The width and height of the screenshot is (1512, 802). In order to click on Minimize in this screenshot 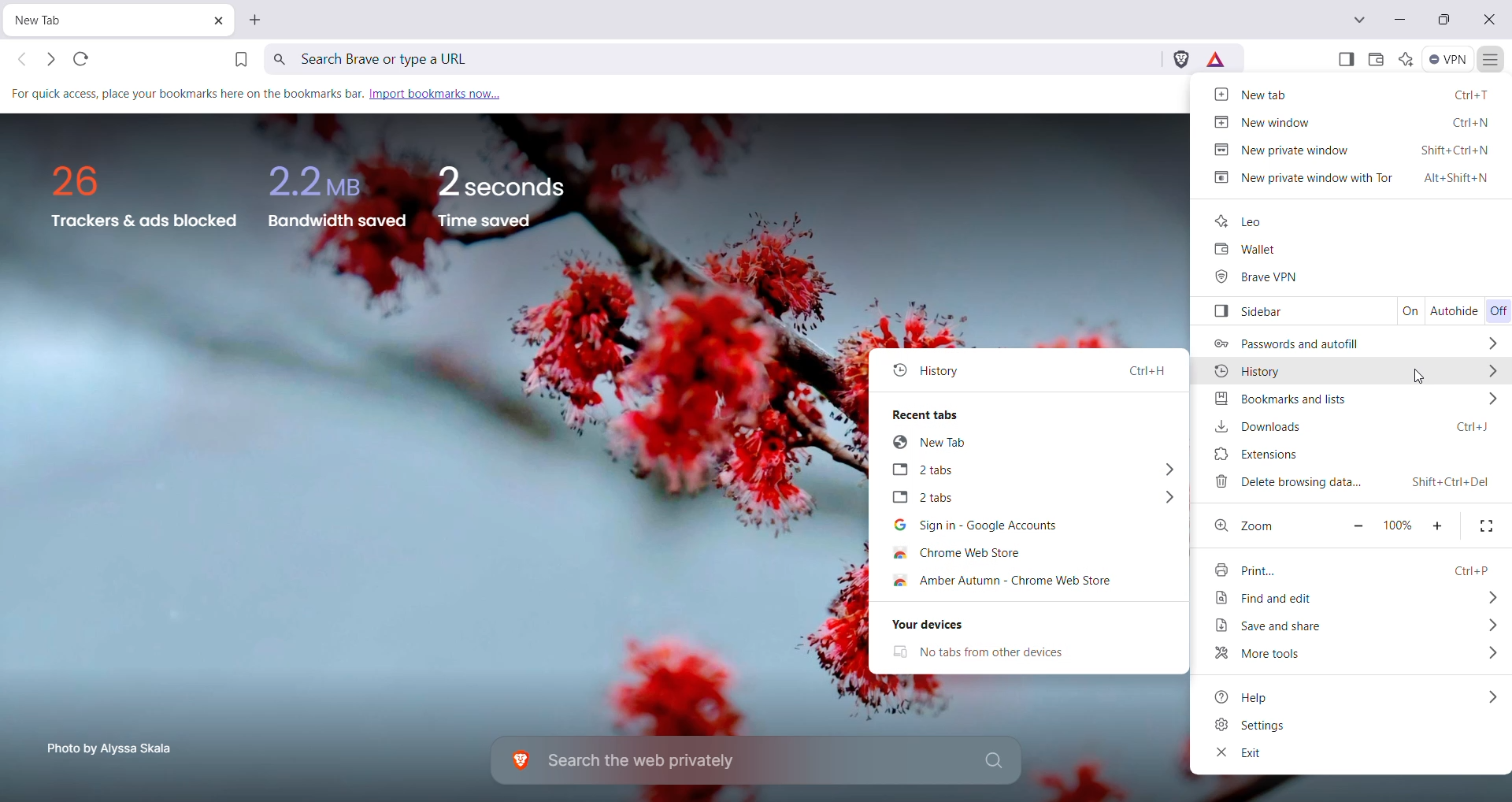, I will do `click(1399, 19)`.